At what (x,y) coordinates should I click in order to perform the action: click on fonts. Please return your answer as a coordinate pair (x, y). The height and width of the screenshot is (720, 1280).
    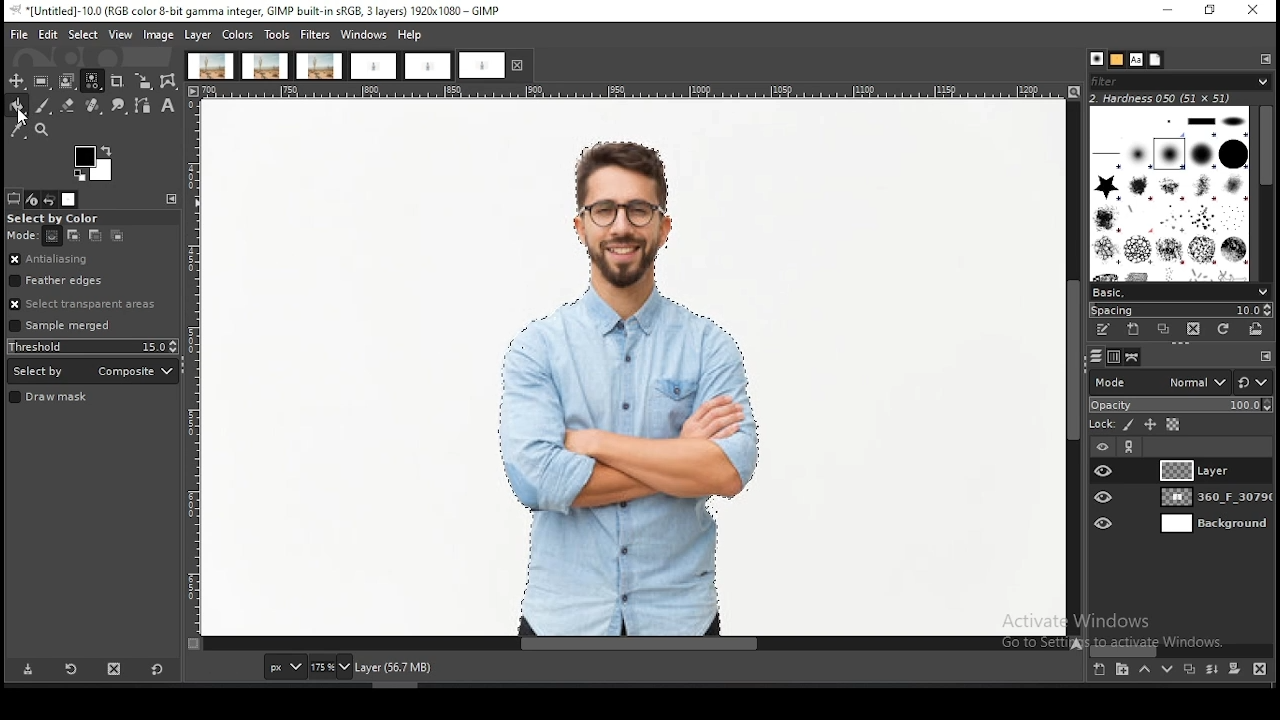
    Looking at the image, I should click on (1136, 60).